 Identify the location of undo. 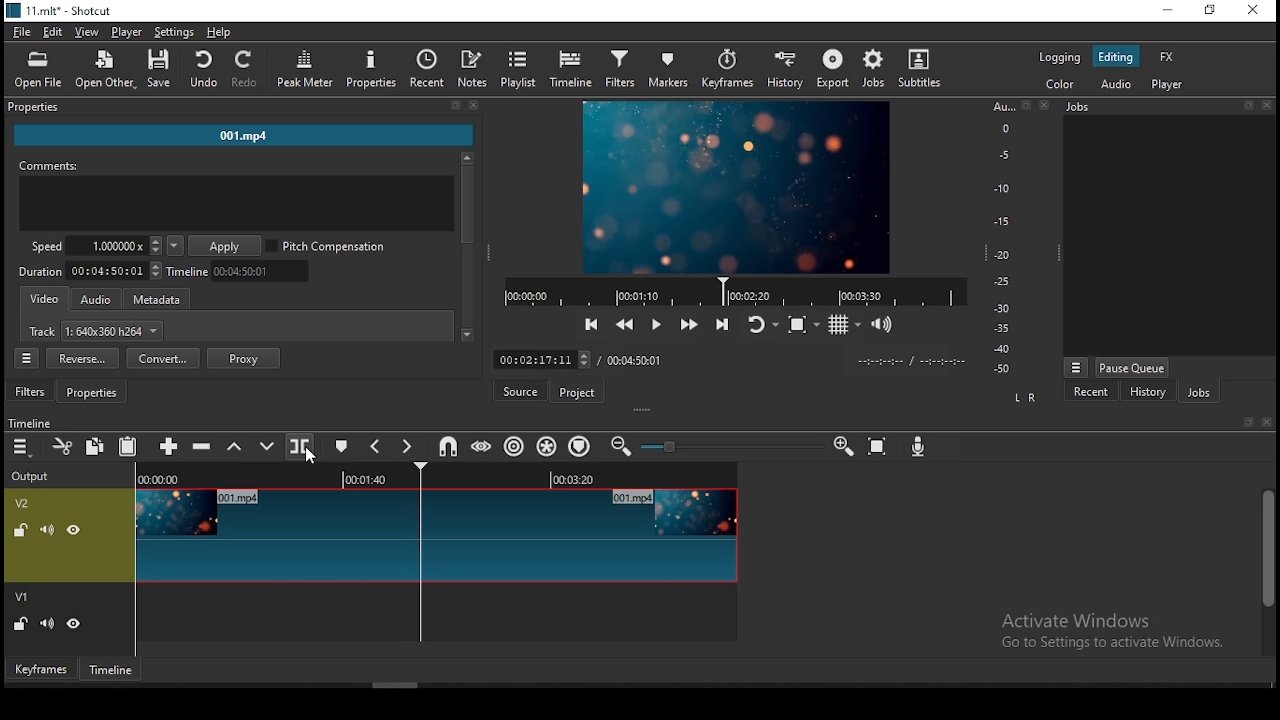
(203, 70).